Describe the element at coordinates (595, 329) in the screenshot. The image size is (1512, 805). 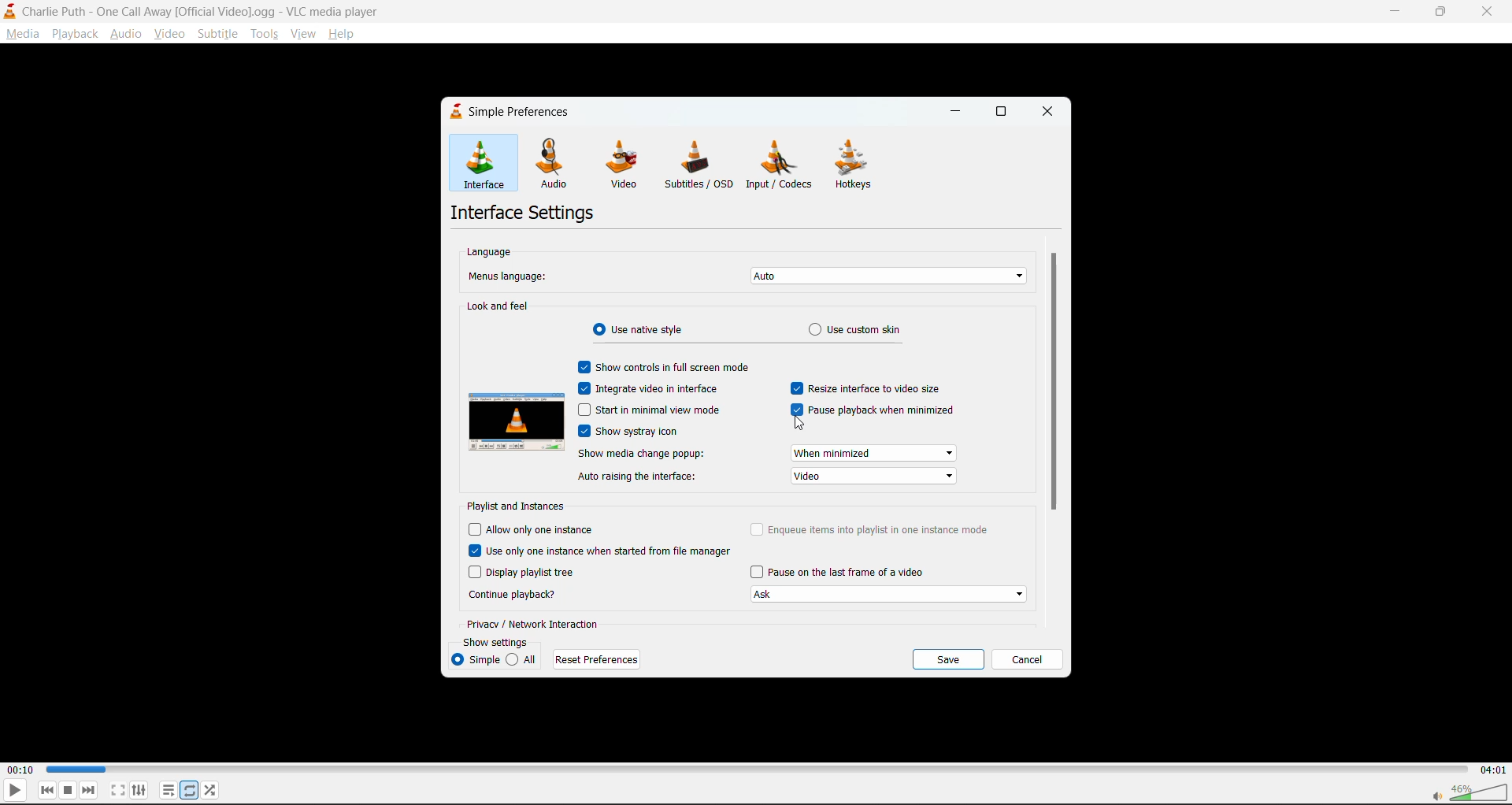
I see `Radio` at that location.